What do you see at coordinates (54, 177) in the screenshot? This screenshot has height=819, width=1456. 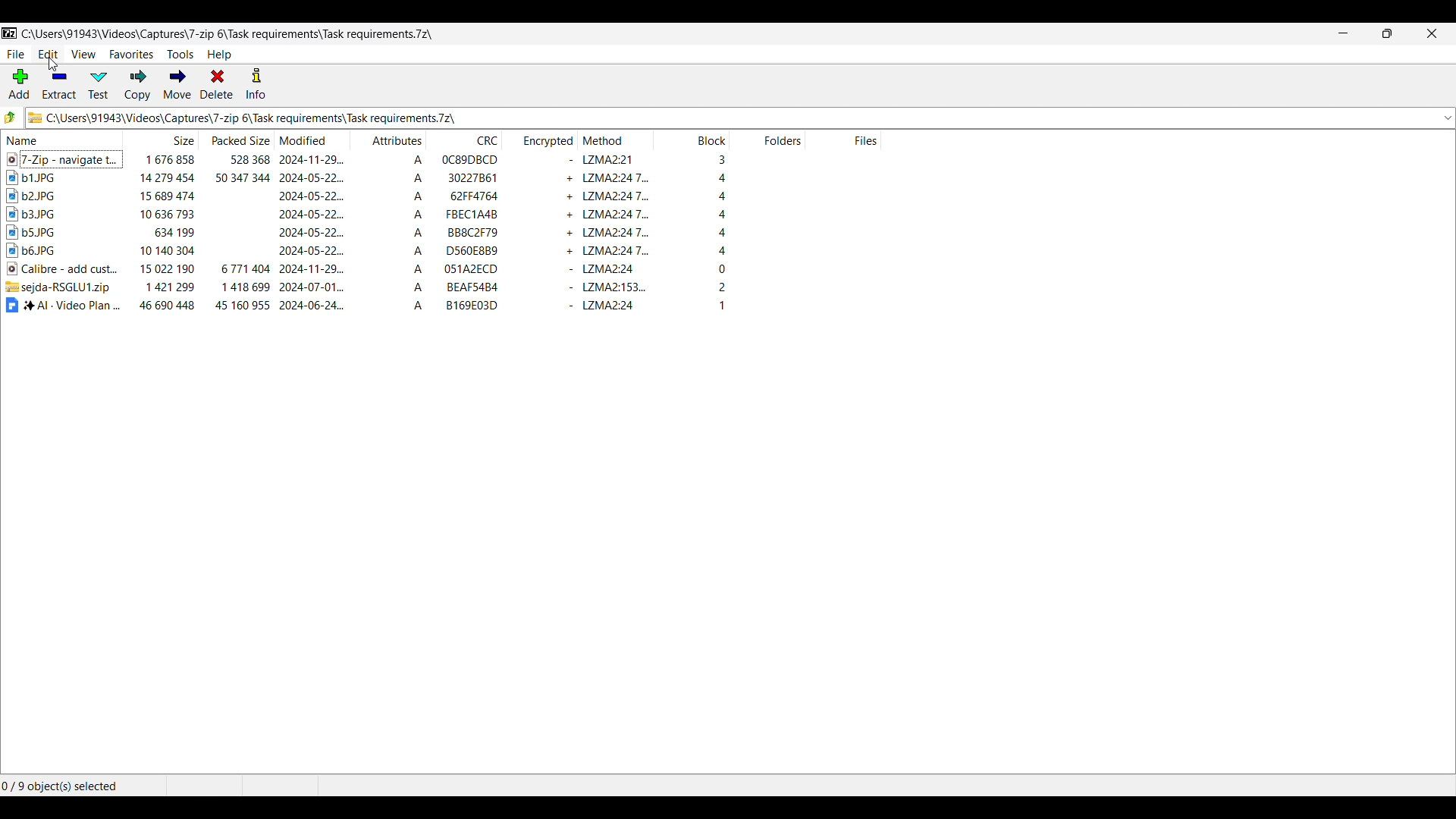 I see `image 1` at bounding box center [54, 177].